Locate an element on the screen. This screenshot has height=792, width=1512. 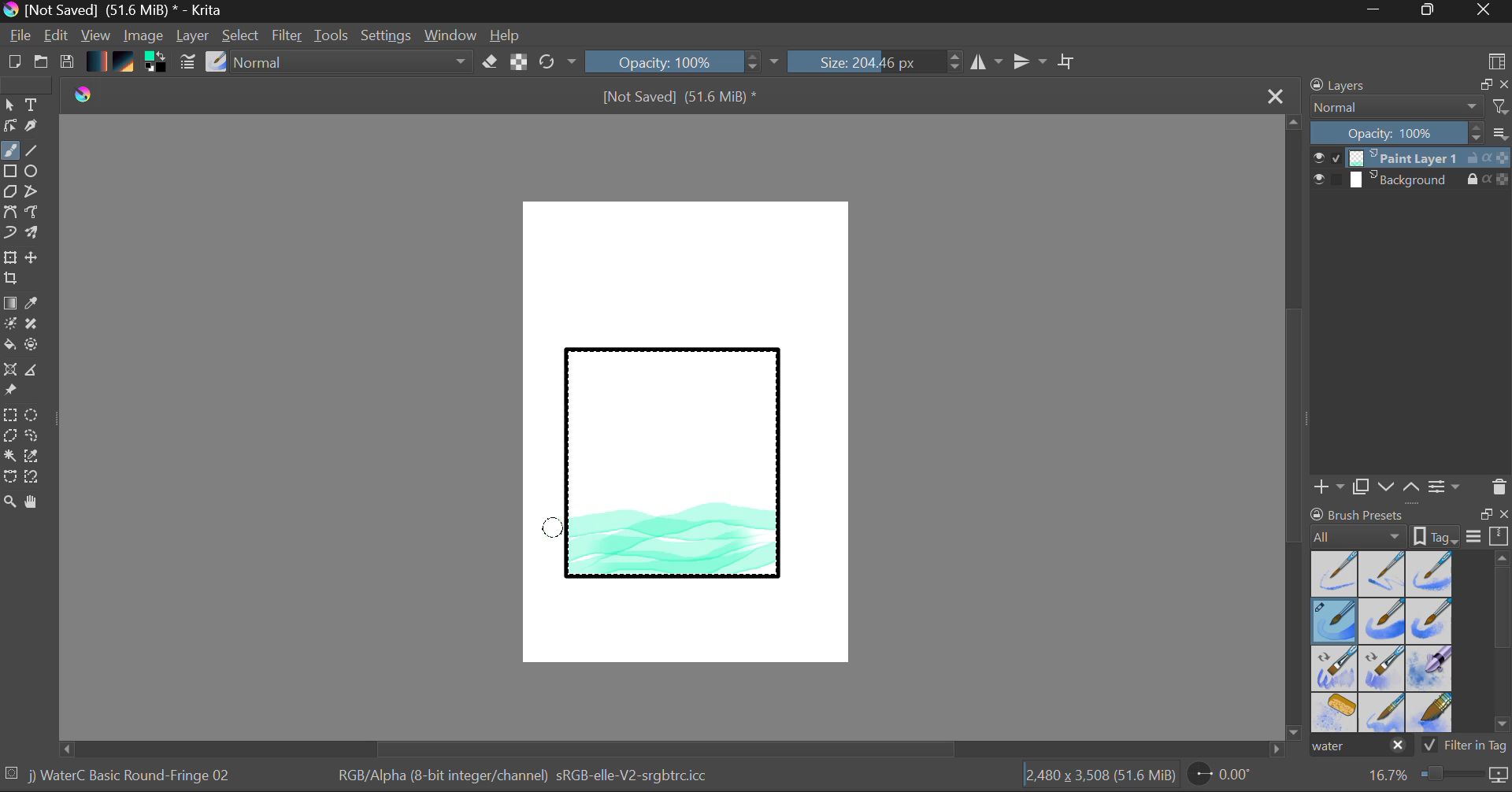
View is located at coordinates (96, 35).